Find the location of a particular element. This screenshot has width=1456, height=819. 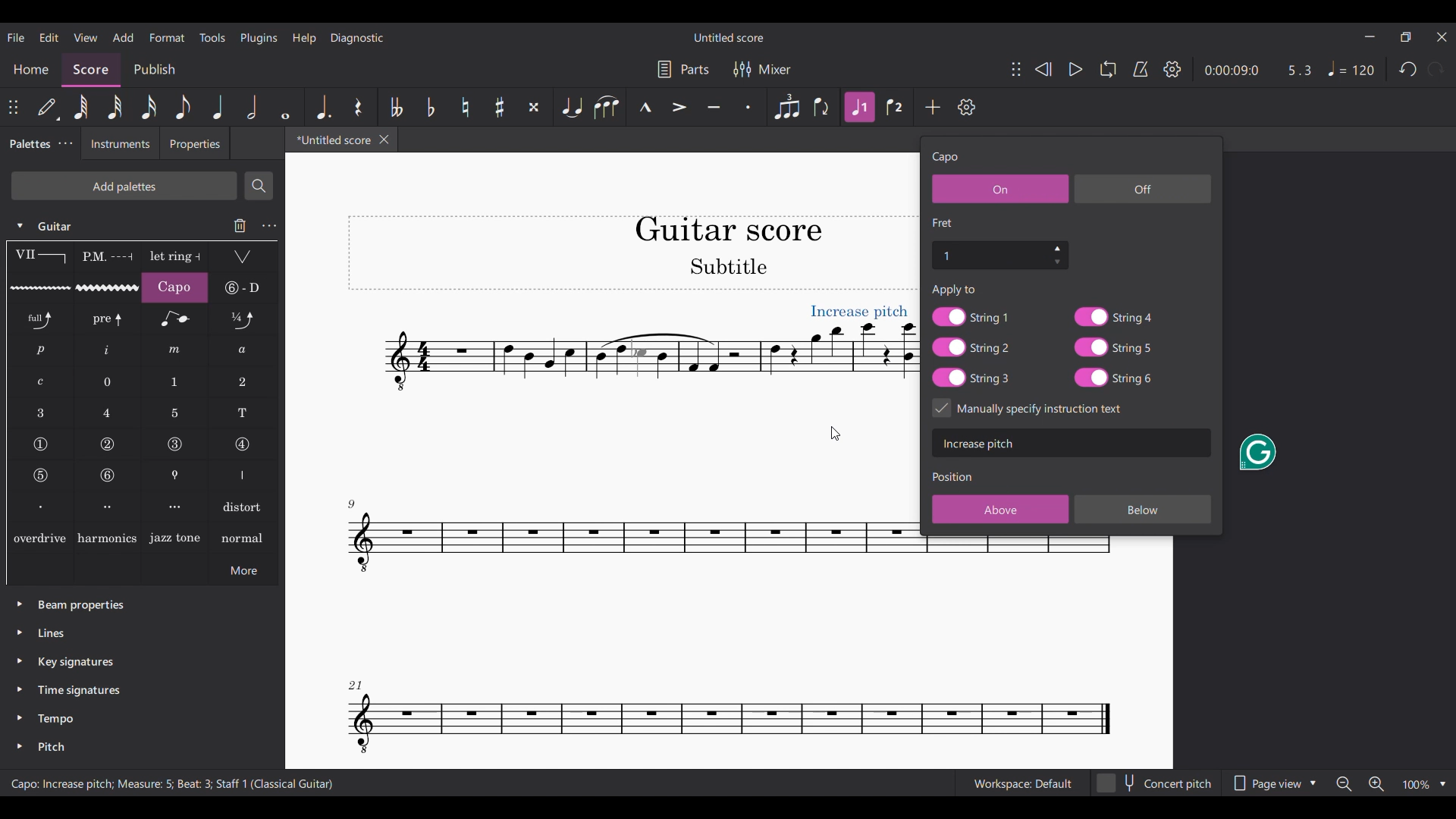

Harmonics is located at coordinates (107, 537).